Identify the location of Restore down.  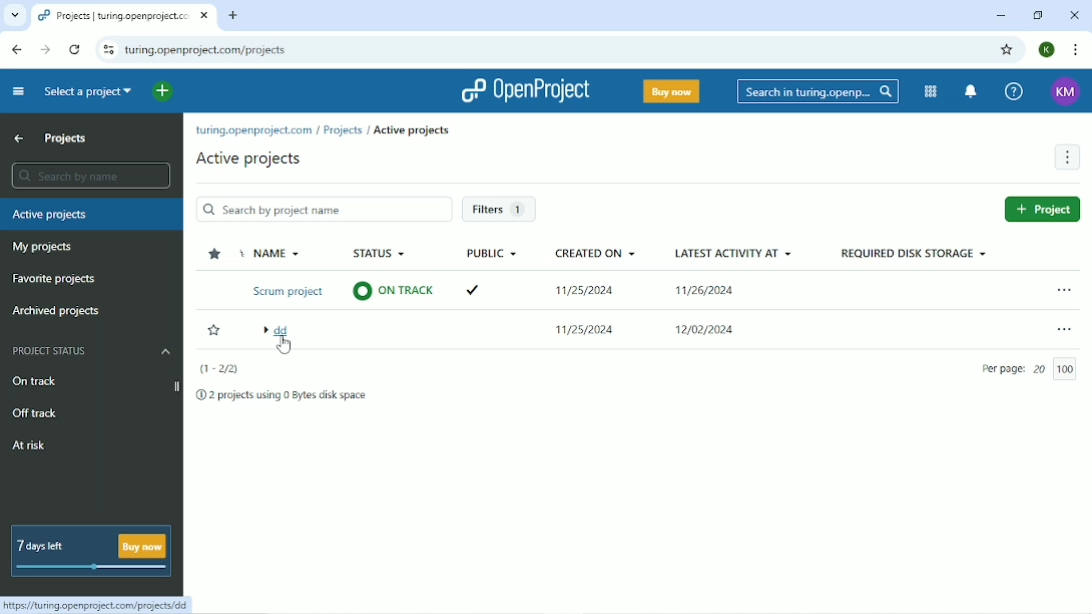
(1035, 15).